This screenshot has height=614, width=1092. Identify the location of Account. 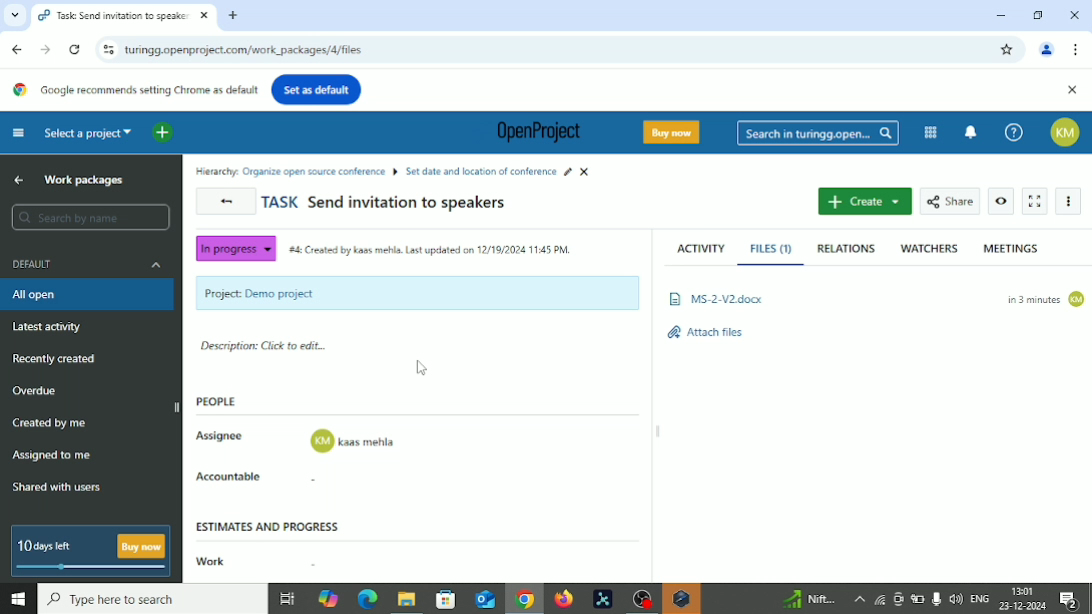
(1069, 132).